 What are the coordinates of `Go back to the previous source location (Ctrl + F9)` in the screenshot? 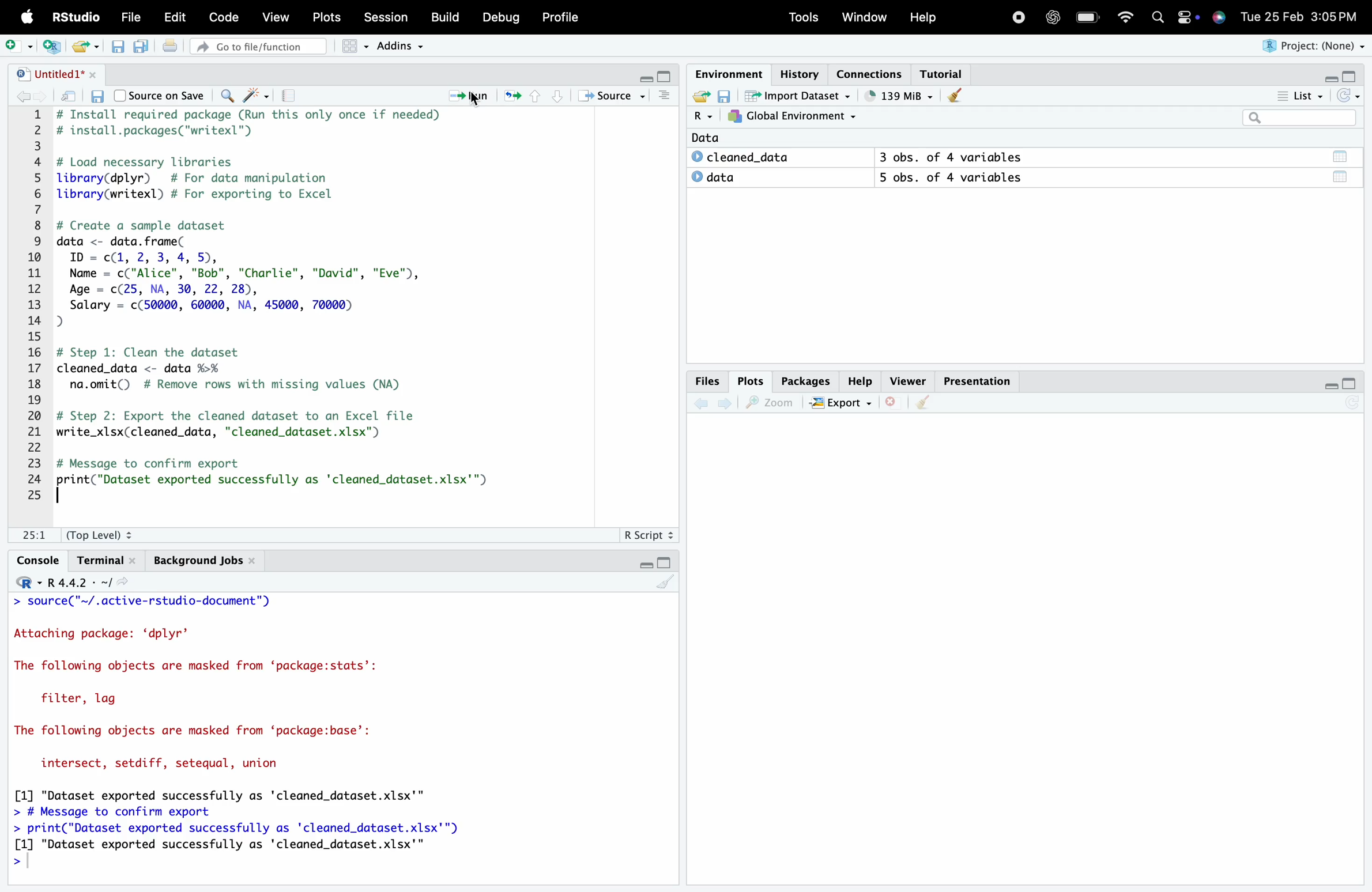 It's located at (21, 96).